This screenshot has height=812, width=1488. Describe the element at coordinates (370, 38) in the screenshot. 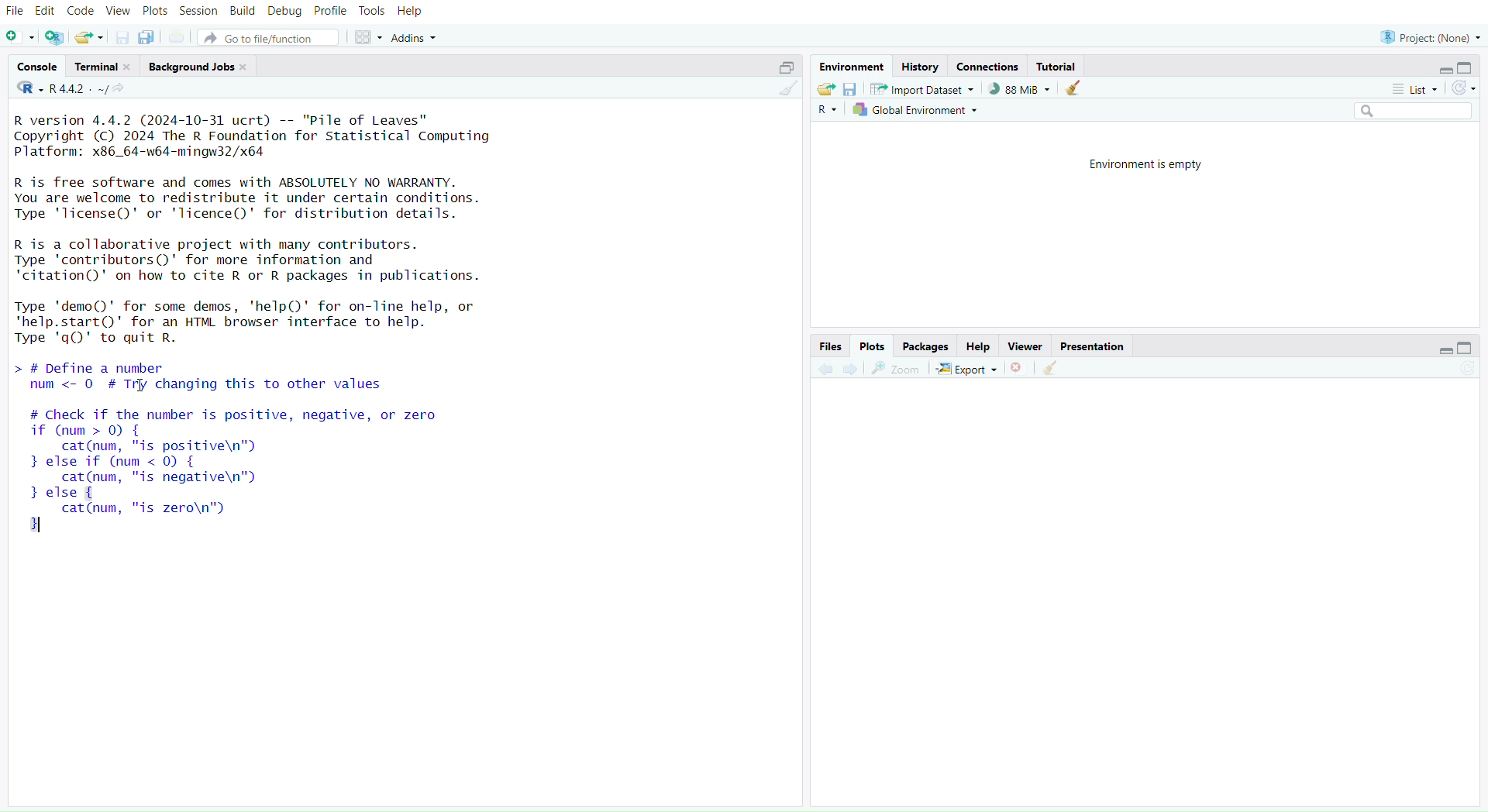

I see `workspace panes` at that location.